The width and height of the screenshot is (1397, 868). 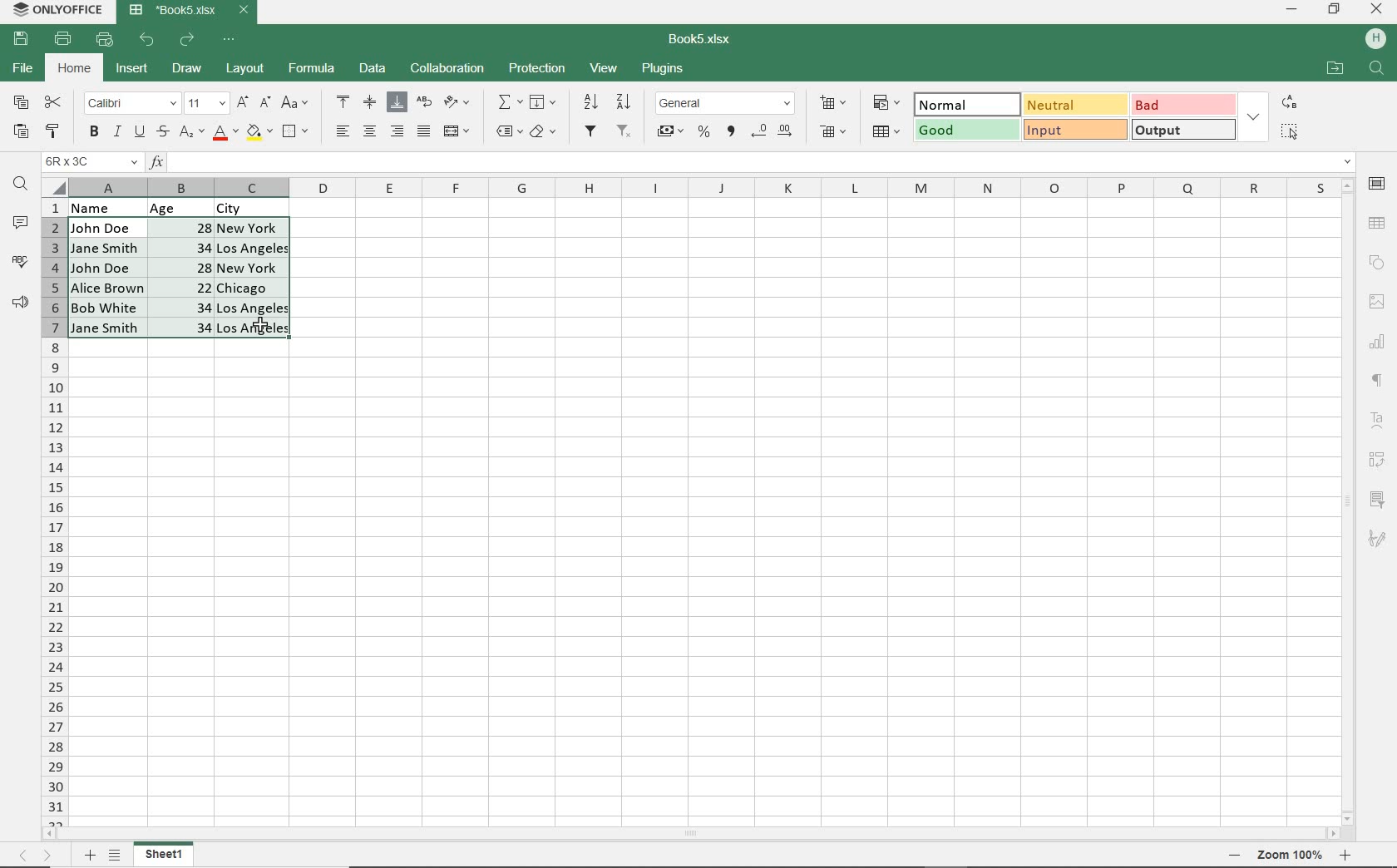 What do you see at coordinates (508, 132) in the screenshot?
I see `NAMED RANGES` at bounding box center [508, 132].